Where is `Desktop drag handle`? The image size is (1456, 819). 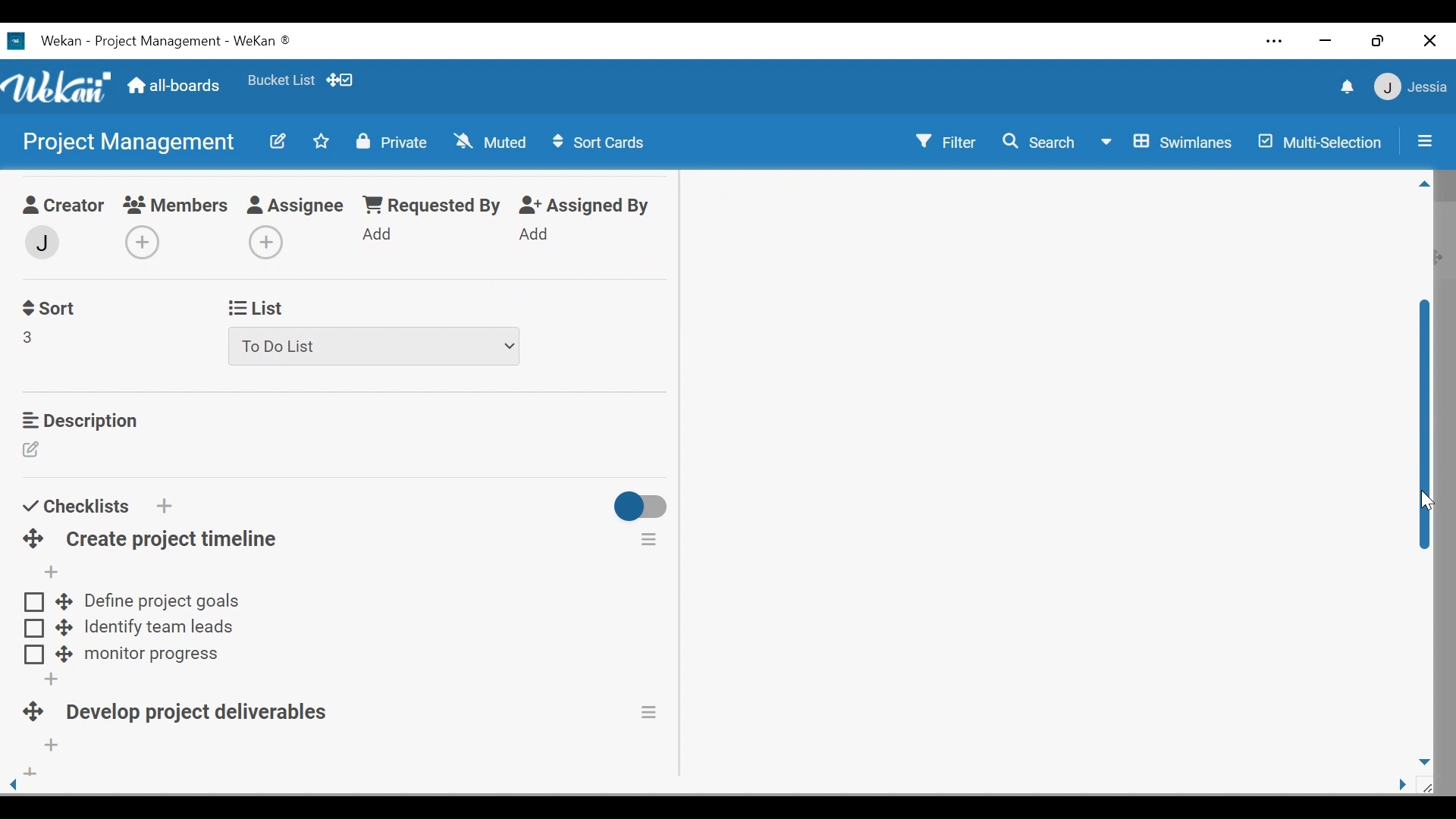 Desktop drag handle is located at coordinates (63, 601).